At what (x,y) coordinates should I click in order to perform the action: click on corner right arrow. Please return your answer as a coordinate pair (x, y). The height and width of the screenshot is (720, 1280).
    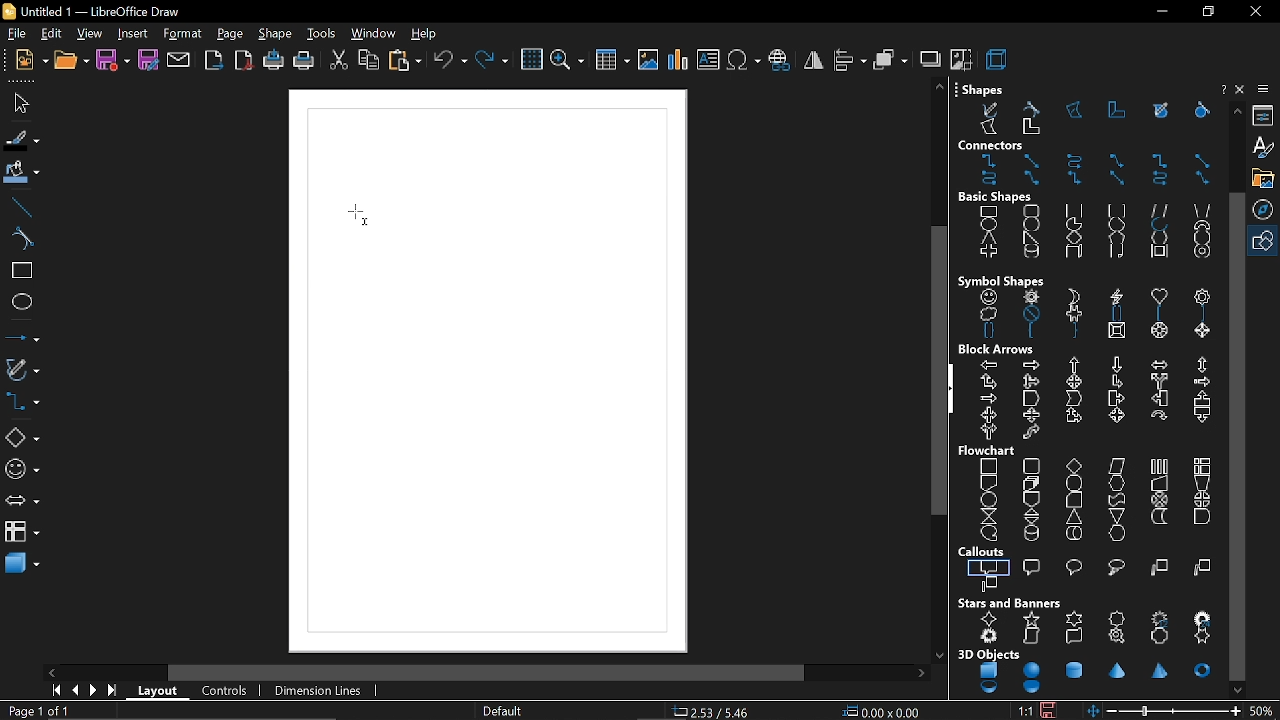
    Looking at the image, I should click on (1117, 382).